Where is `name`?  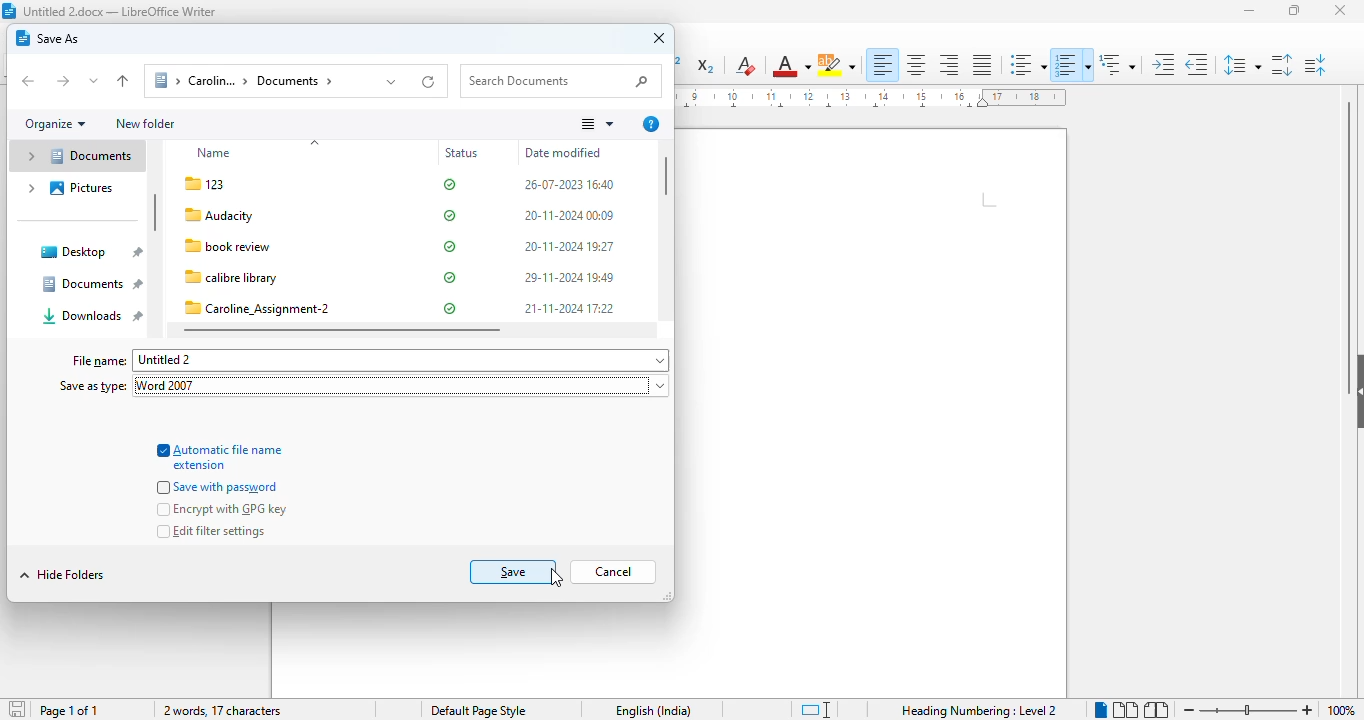 name is located at coordinates (217, 153).